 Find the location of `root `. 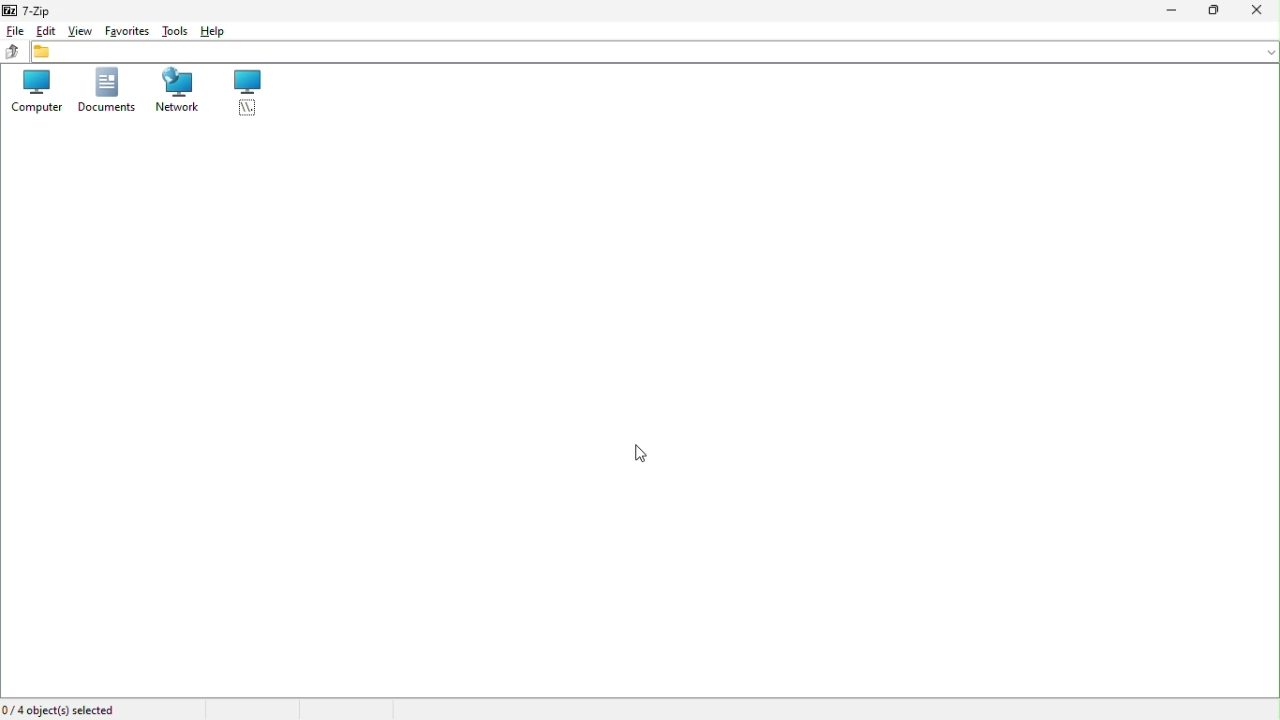

root  is located at coordinates (244, 93).